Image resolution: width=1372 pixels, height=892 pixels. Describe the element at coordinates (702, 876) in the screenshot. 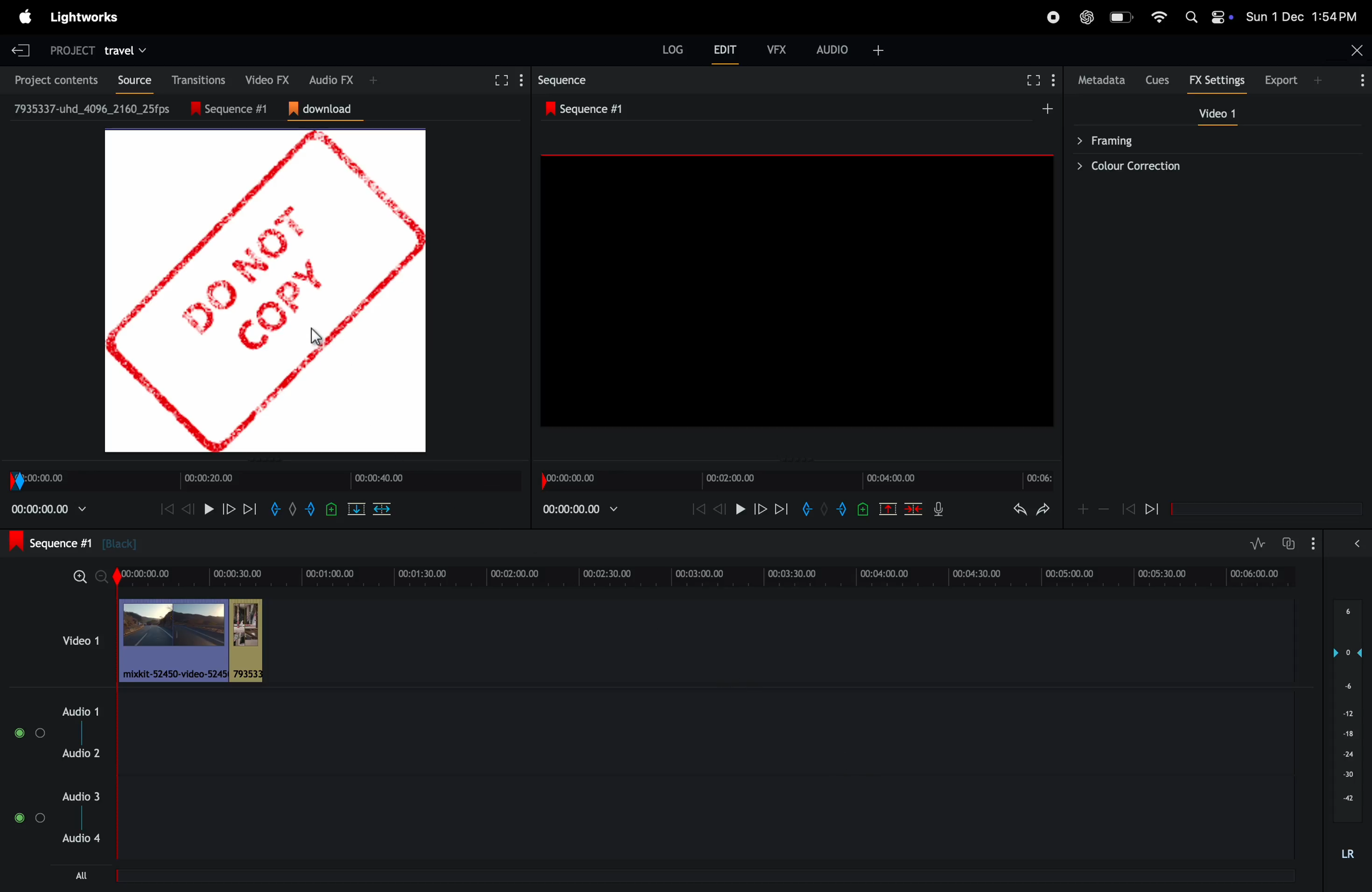

I see `Horizontal slide bar` at that location.